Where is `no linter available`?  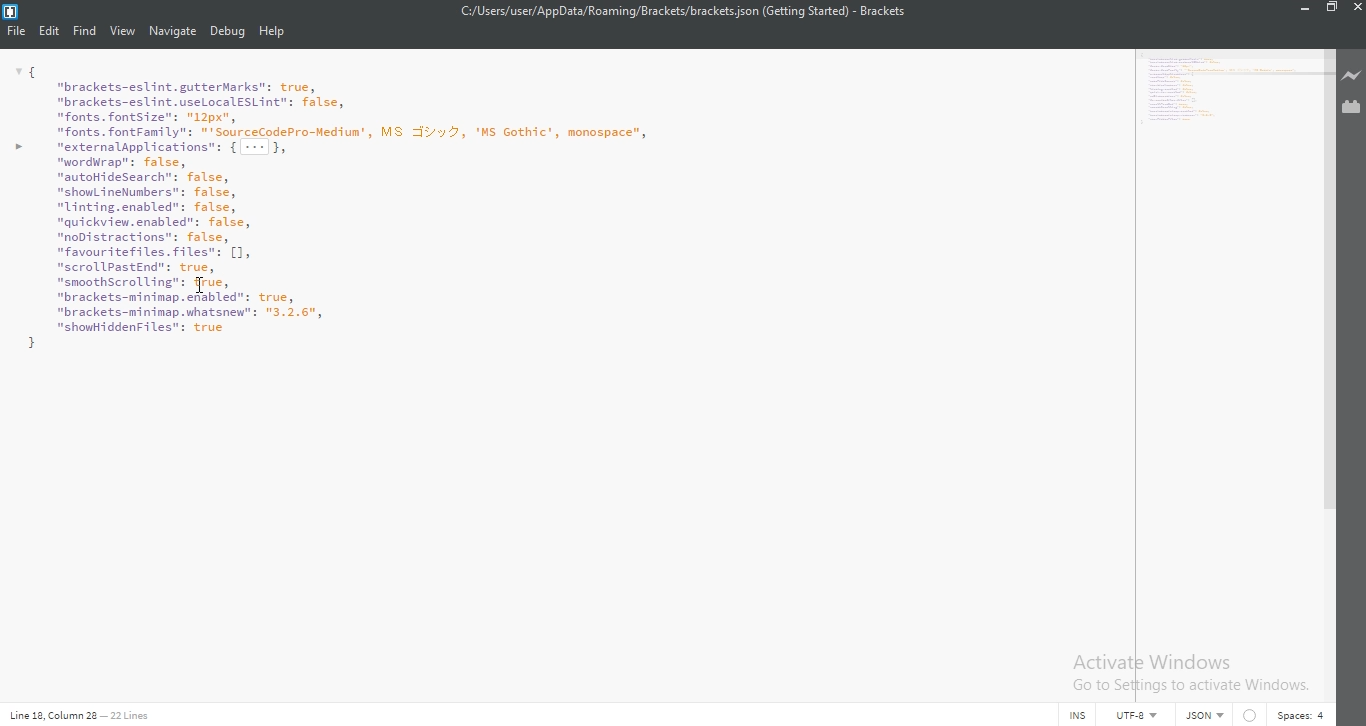
no linter available is located at coordinates (1250, 716).